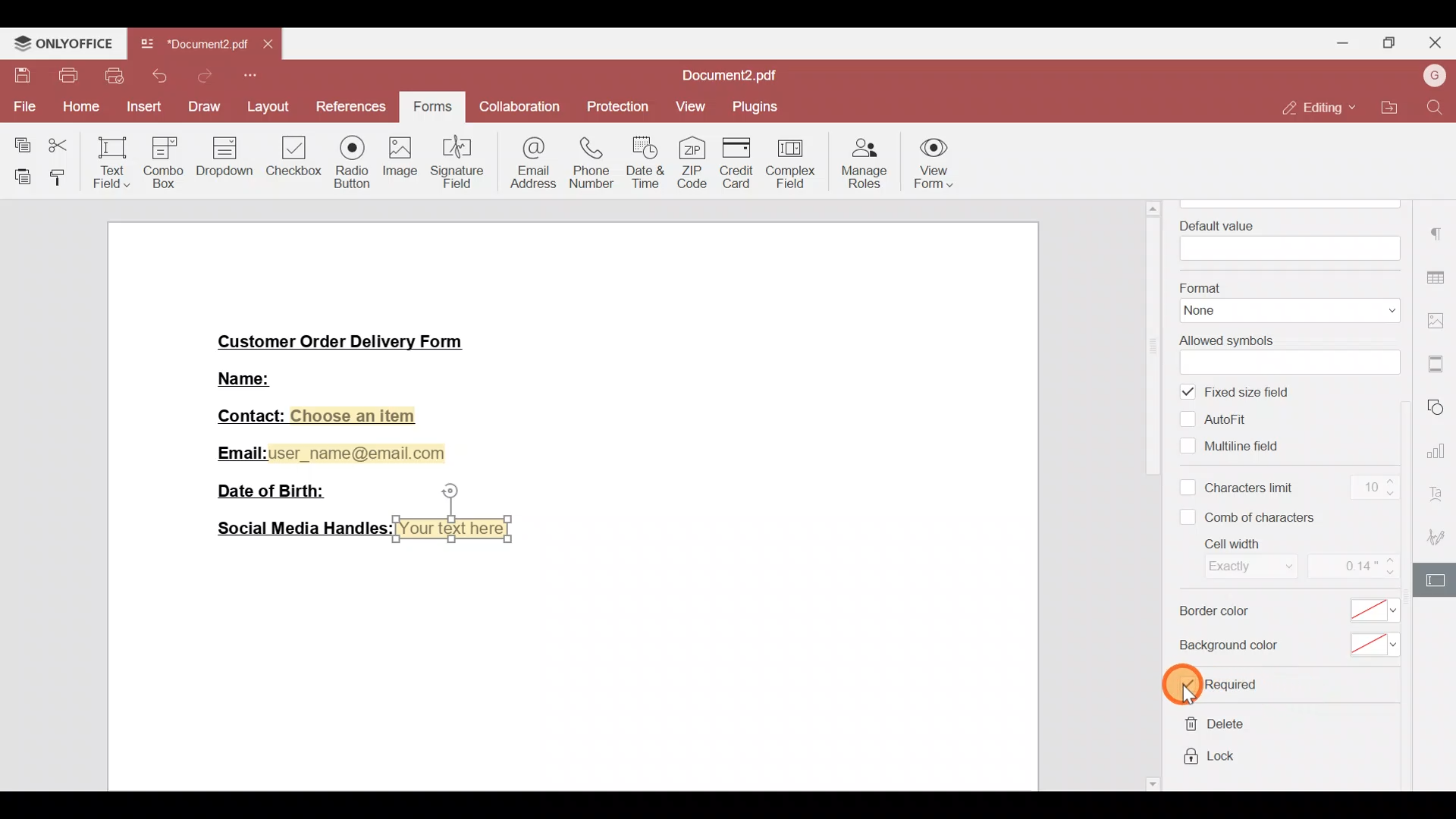 This screenshot has height=819, width=1456. I want to click on Print file, so click(66, 76).